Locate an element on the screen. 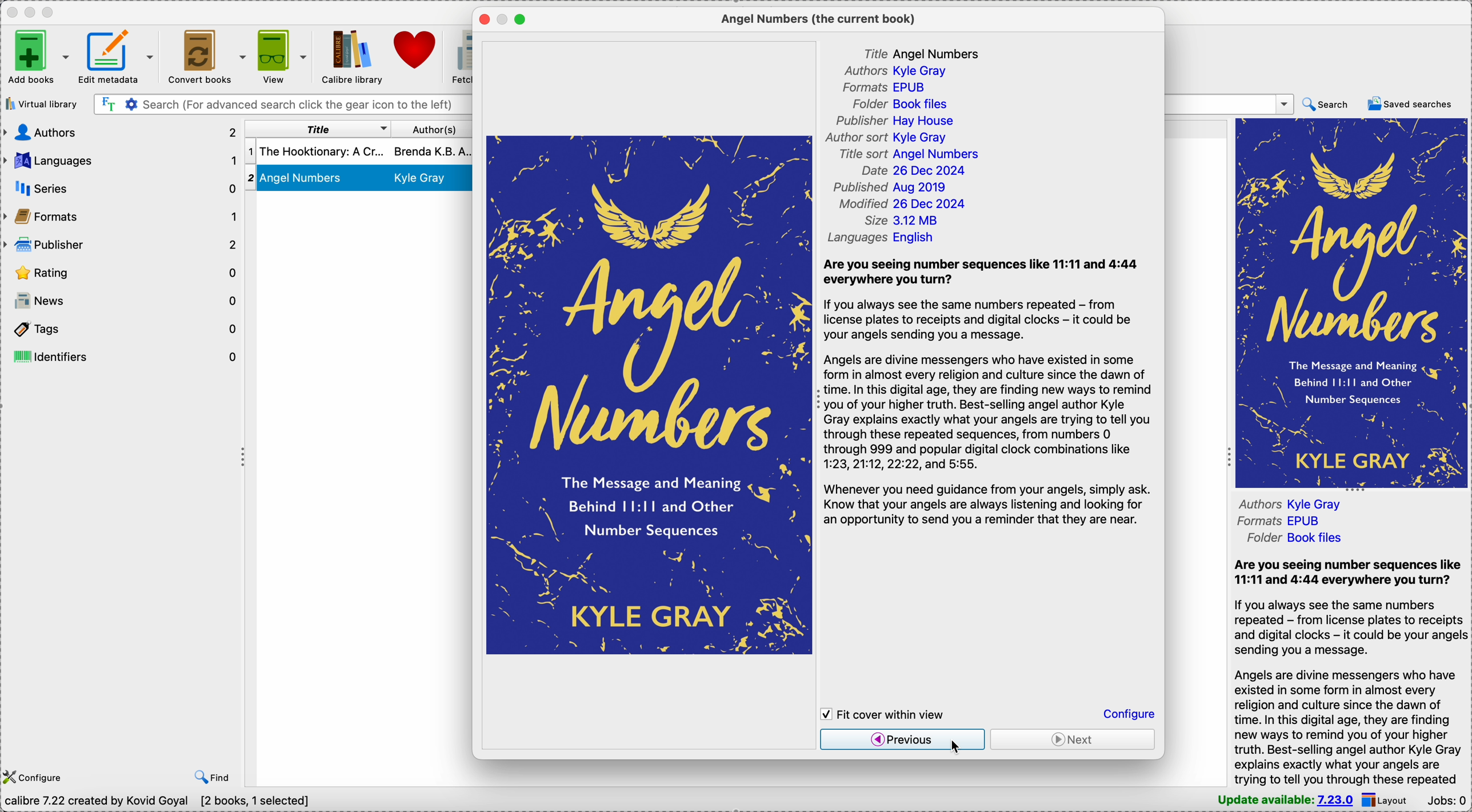 The image size is (1472, 812). folder is located at coordinates (894, 103).